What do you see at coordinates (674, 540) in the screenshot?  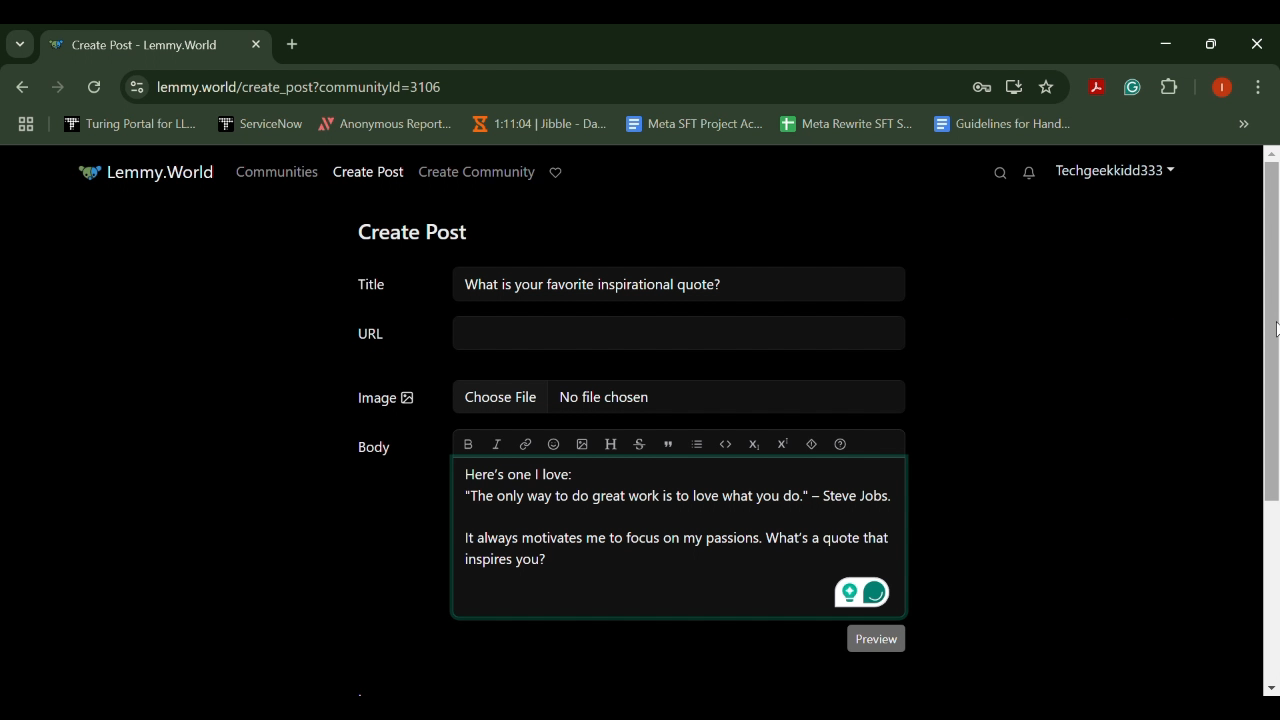 I see `Here's one | love: “The only way to do great work is to love what you do.” - Steve Jobs. It always motivates me to focus on my passions. What's a quote that inspires you?` at bounding box center [674, 540].